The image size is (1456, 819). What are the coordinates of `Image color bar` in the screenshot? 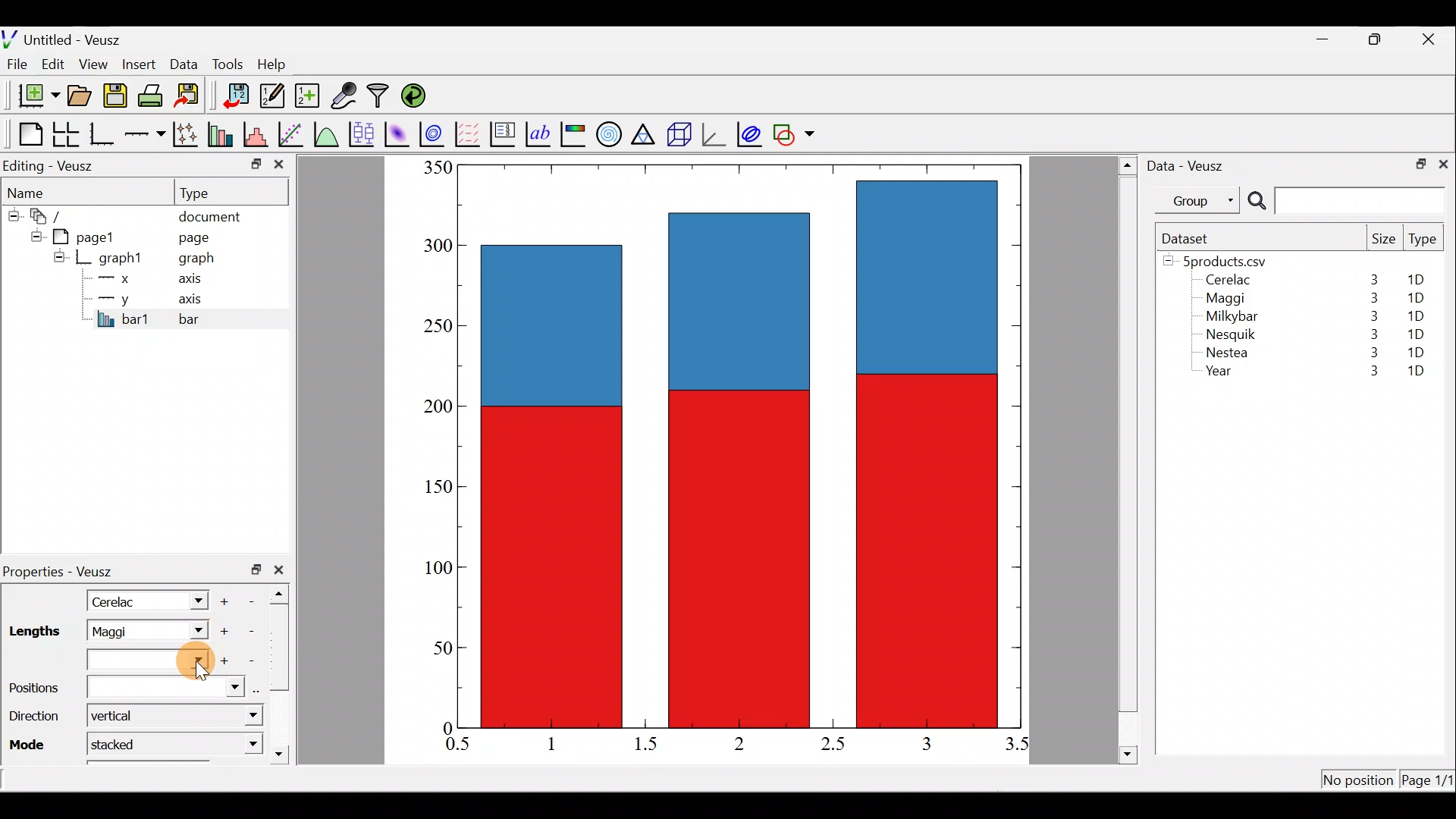 It's located at (574, 133).